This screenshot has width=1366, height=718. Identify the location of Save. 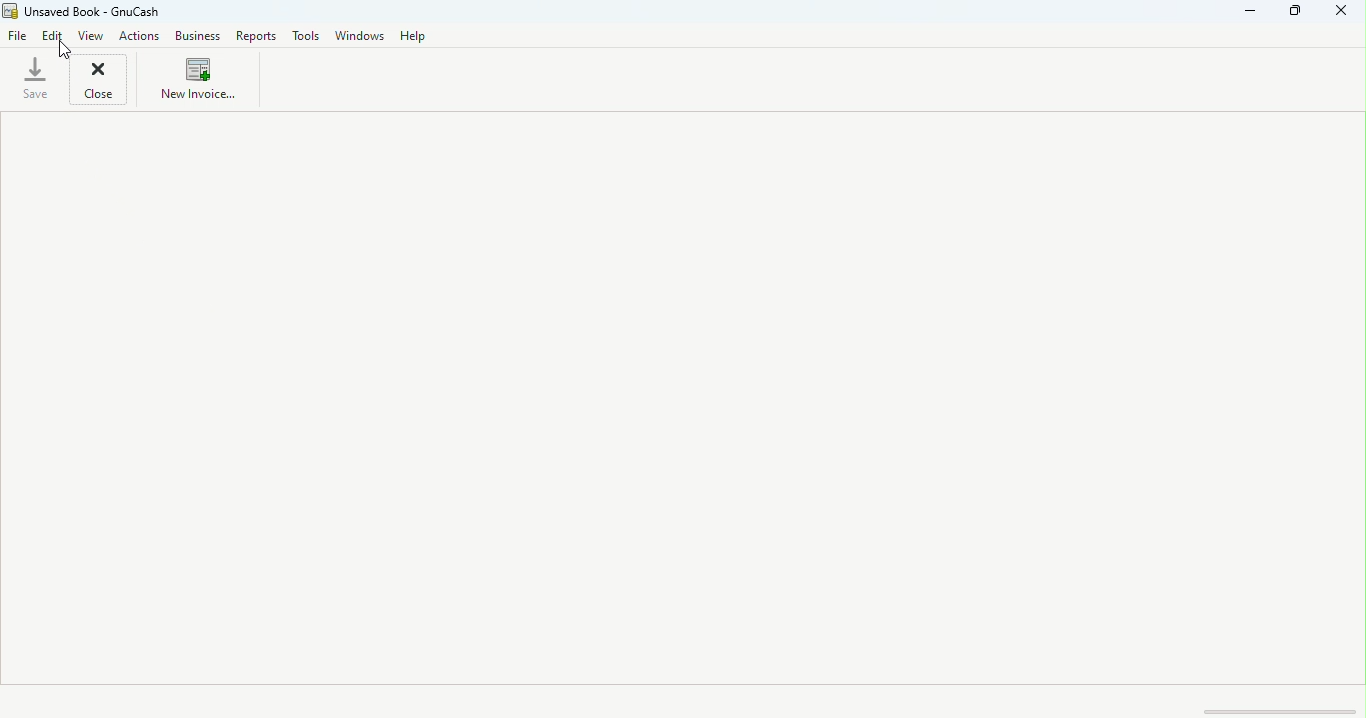
(36, 79).